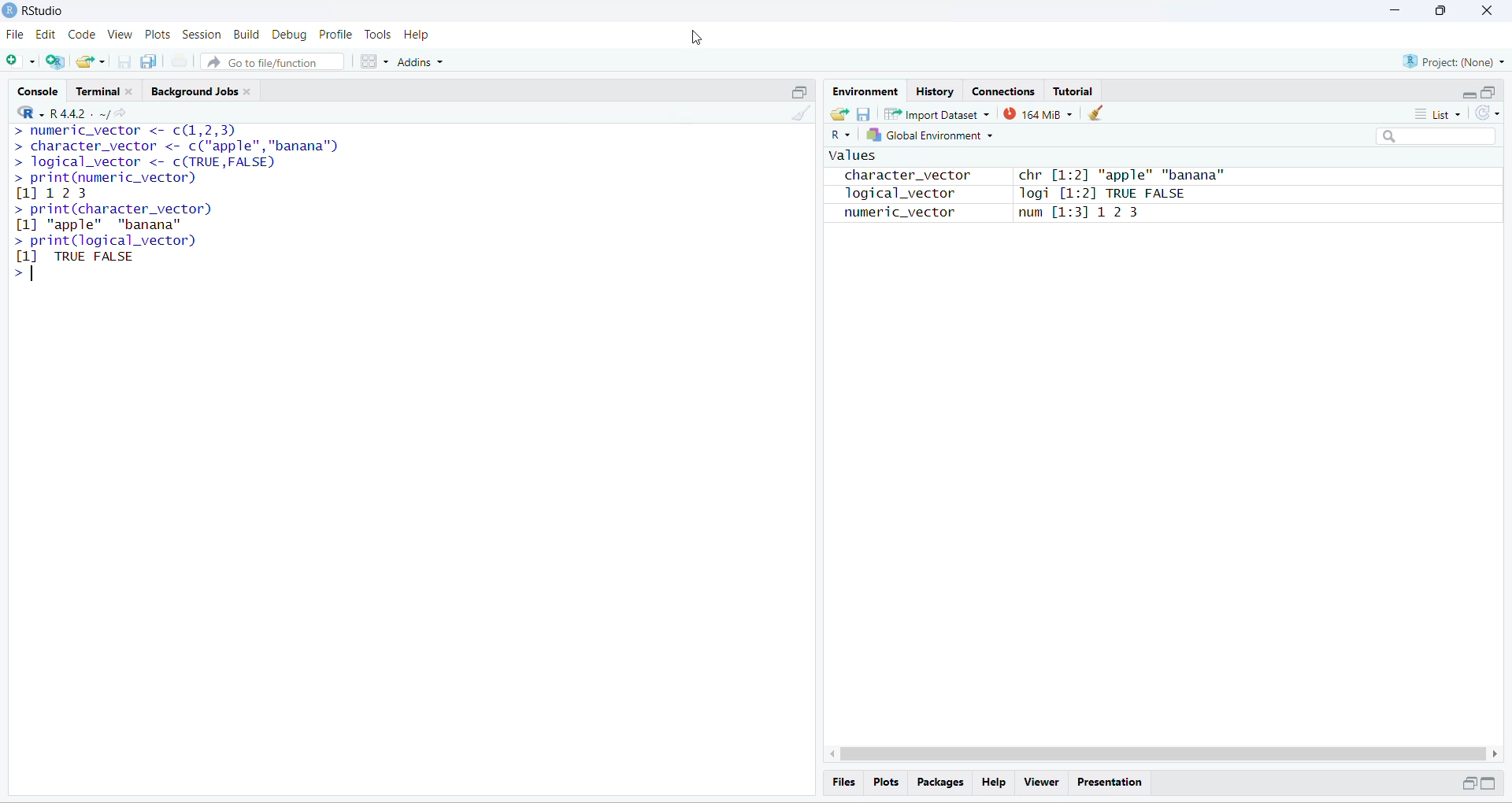  What do you see at coordinates (1485, 10) in the screenshot?
I see `close` at bounding box center [1485, 10].